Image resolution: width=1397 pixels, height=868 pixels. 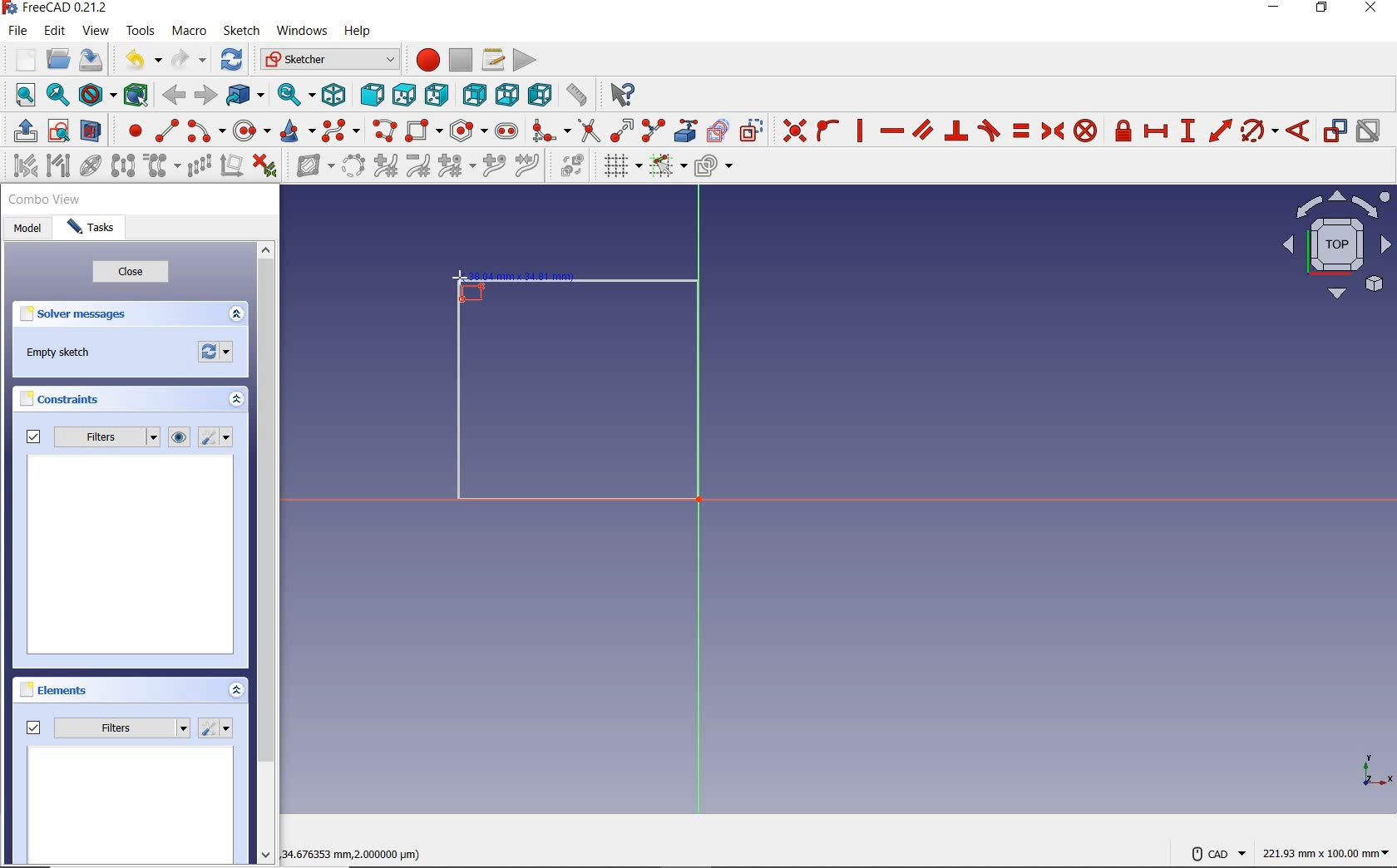 I want to click on 34.676353mm,2.000000 μm, so click(x=358, y=852).